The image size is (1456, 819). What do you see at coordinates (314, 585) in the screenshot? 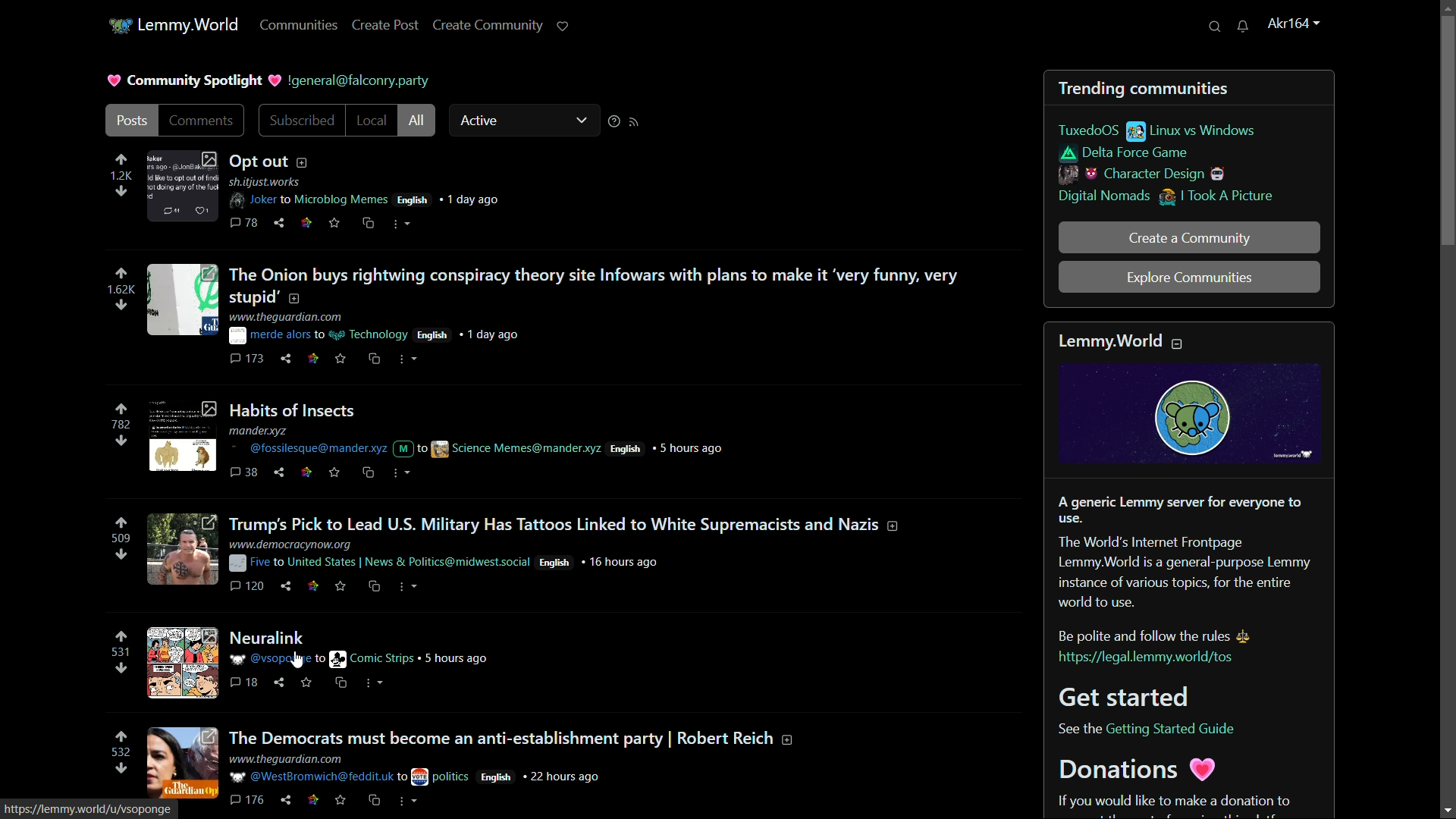
I see `link` at bounding box center [314, 585].